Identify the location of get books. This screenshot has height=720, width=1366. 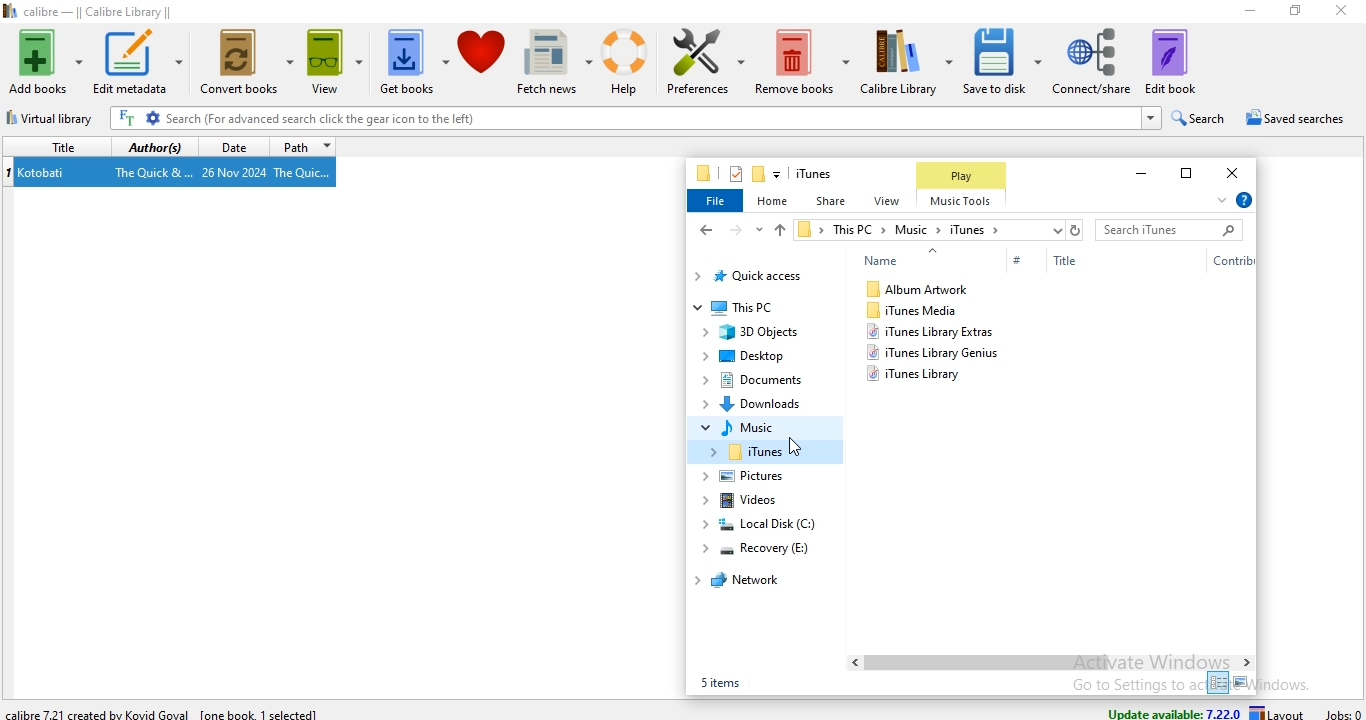
(414, 63).